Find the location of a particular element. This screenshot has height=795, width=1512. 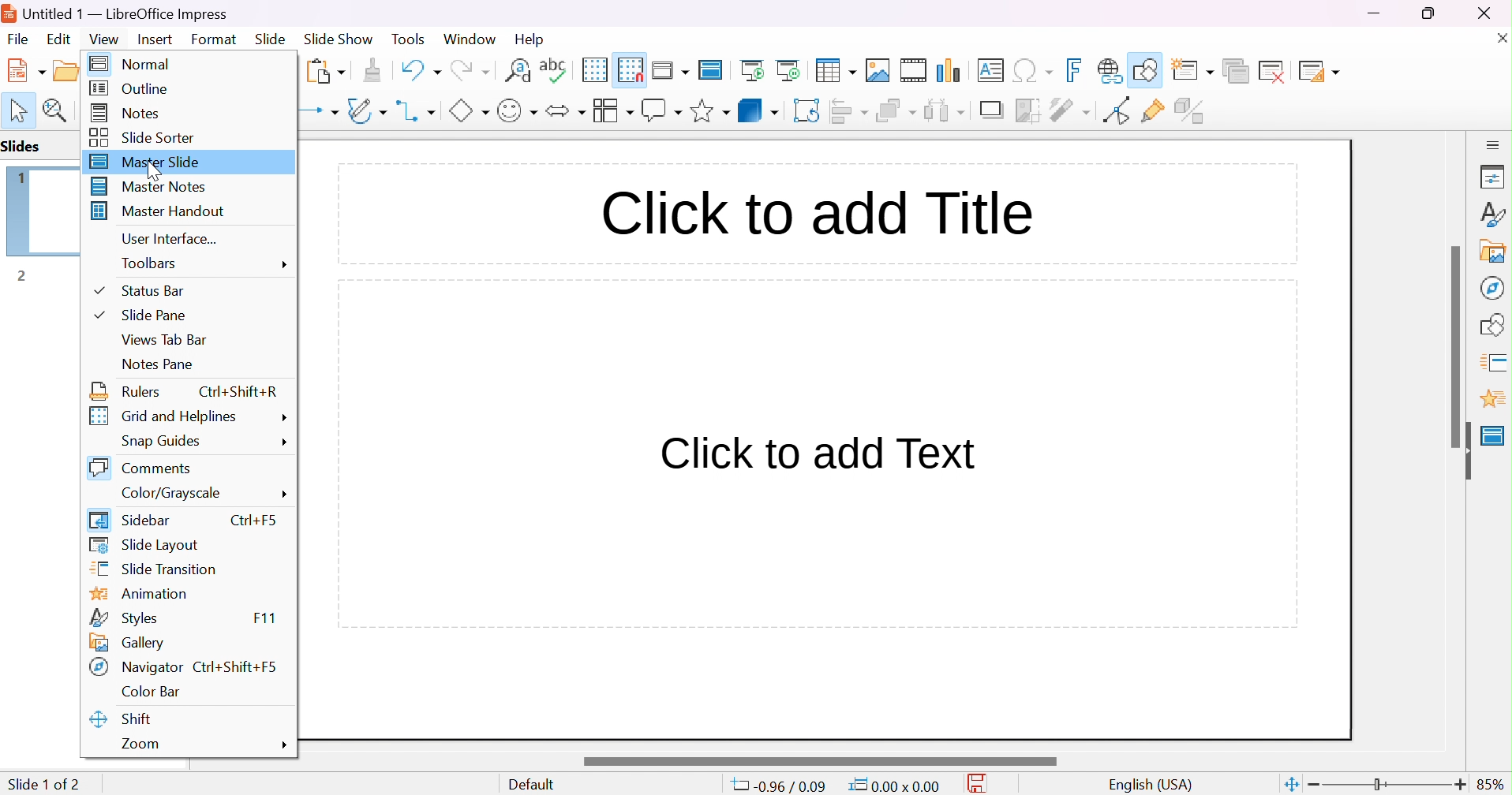

3D onjects is located at coordinates (758, 110).